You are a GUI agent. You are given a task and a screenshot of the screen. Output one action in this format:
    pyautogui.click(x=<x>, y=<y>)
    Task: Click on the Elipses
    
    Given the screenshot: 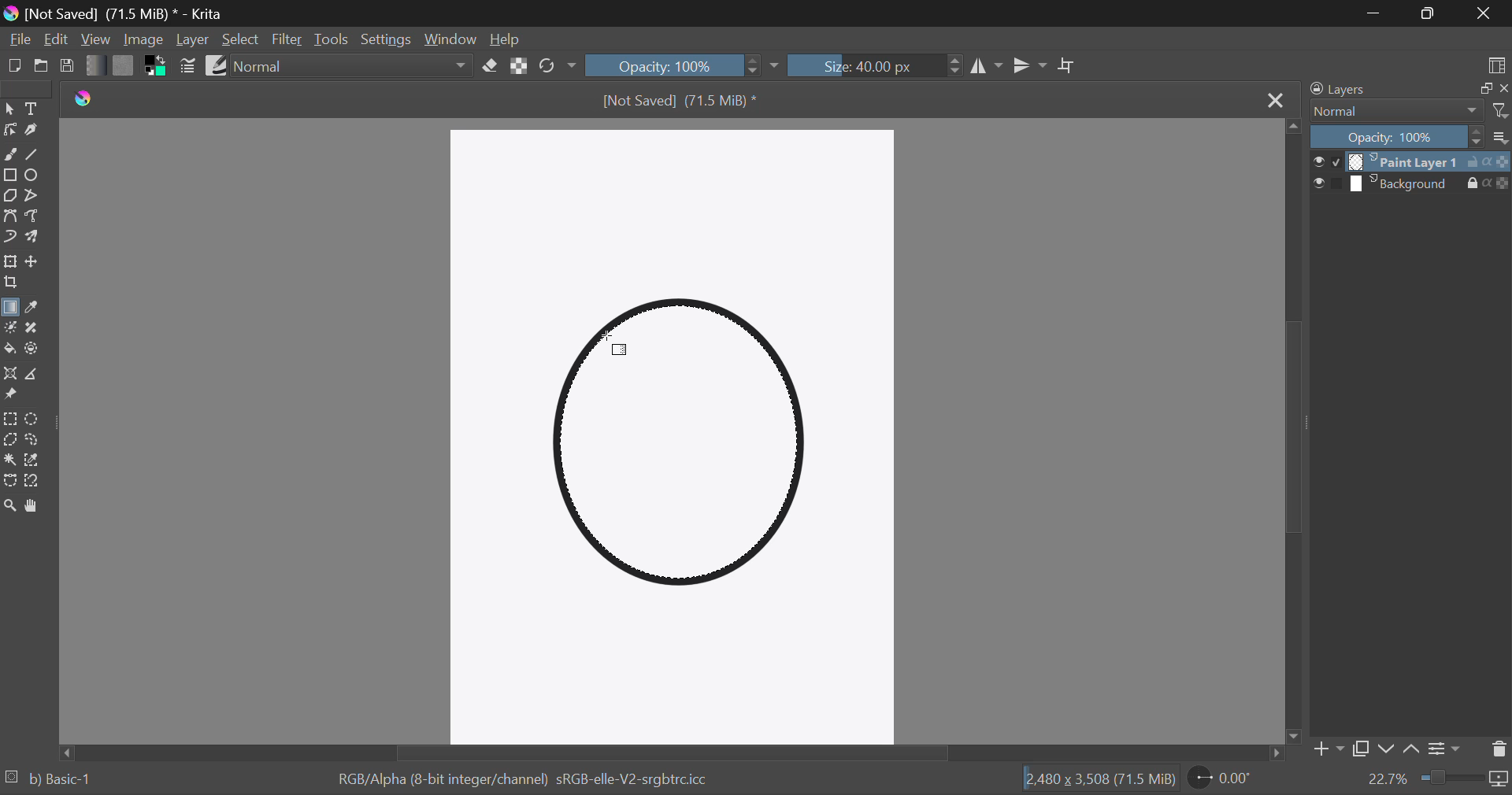 What is the action you would take?
    pyautogui.click(x=36, y=176)
    